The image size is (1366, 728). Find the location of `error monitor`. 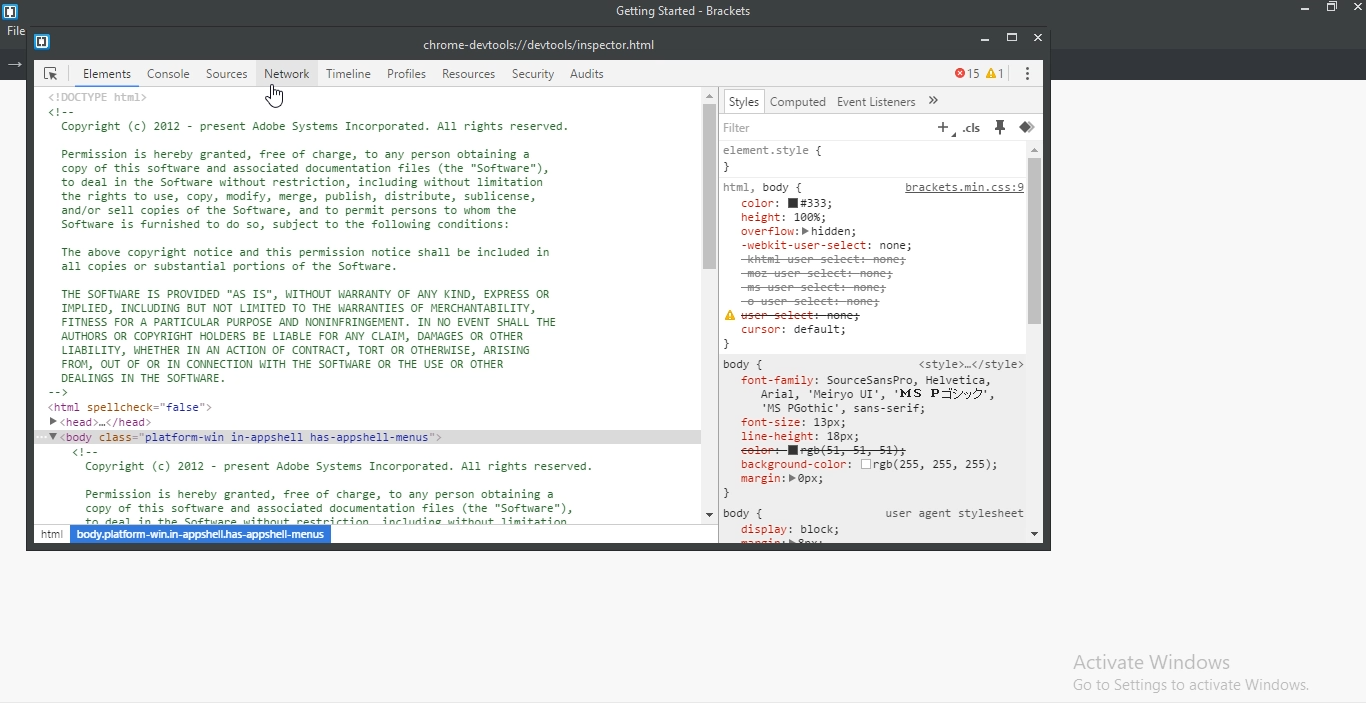

error monitor is located at coordinates (981, 75).